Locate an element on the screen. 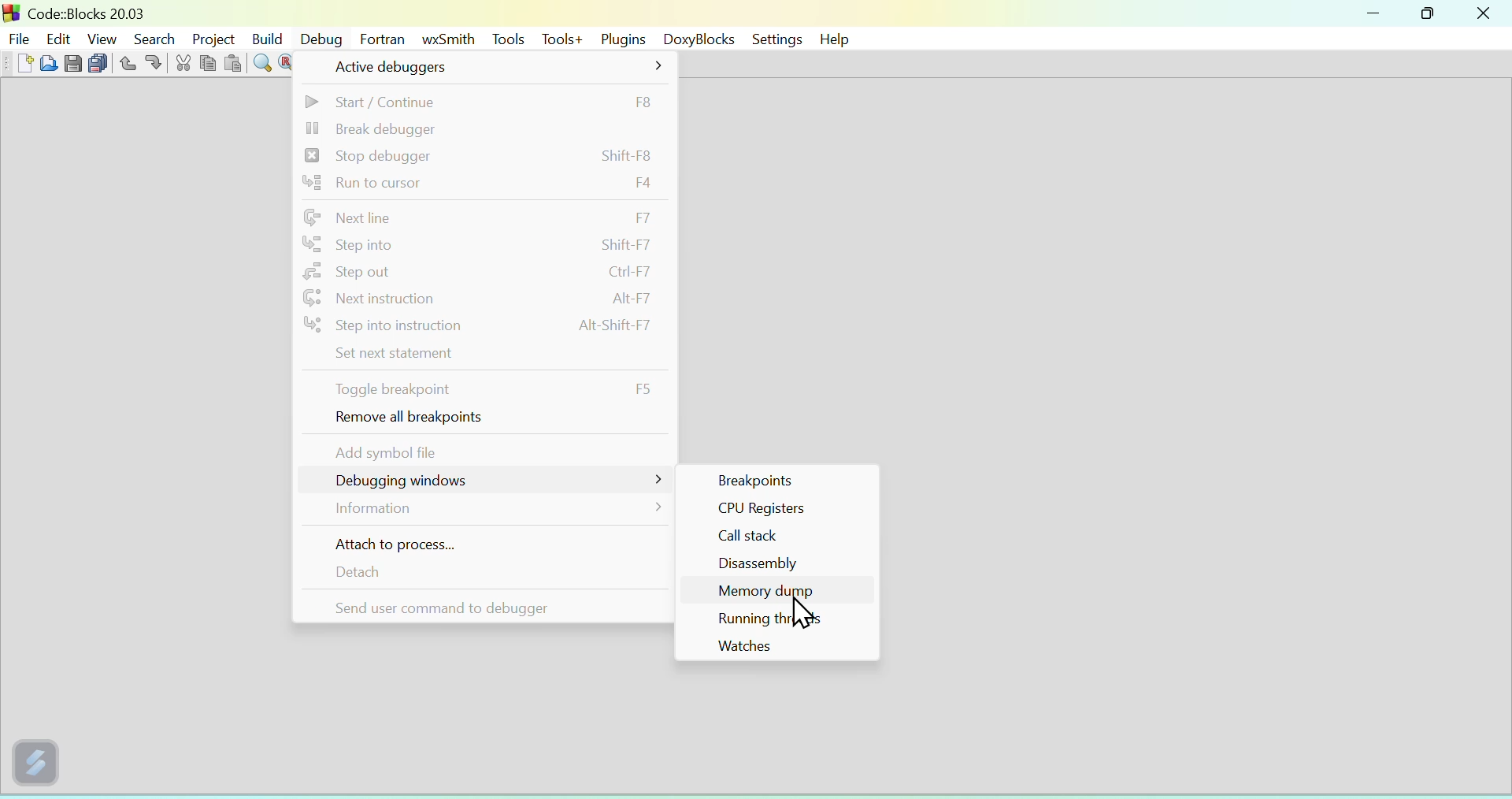  set next statement is located at coordinates (482, 355).